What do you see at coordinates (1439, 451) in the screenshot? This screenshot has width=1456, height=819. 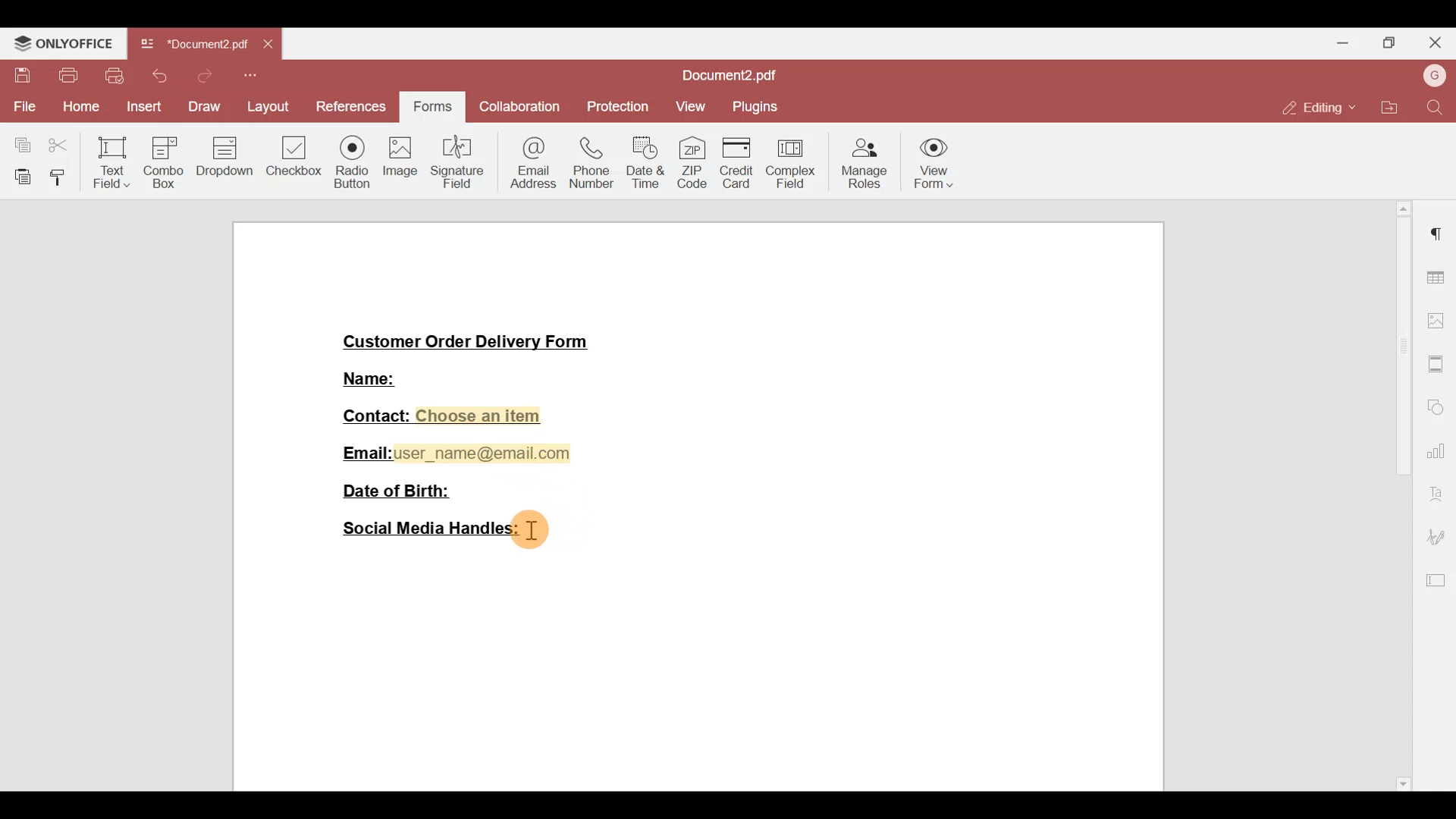 I see `Chart settings` at bounding box center [1439, 451].